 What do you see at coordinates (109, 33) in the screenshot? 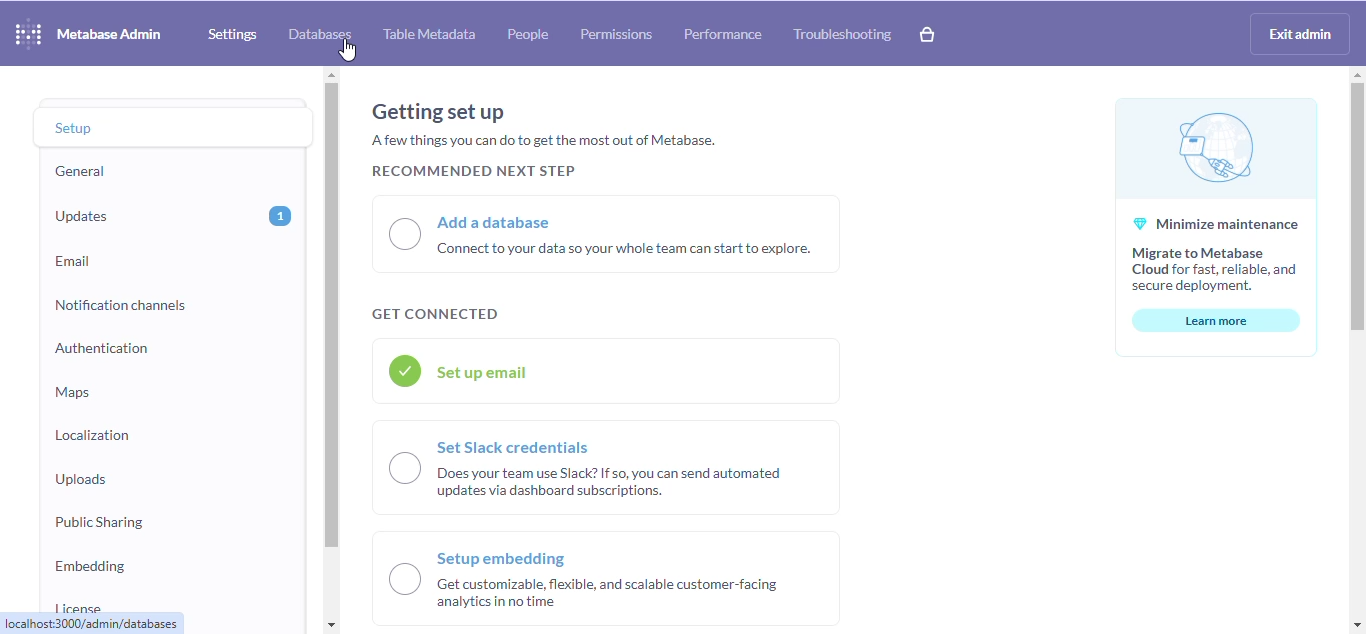
I see `metabase admin` at bounding box center [109, 33].